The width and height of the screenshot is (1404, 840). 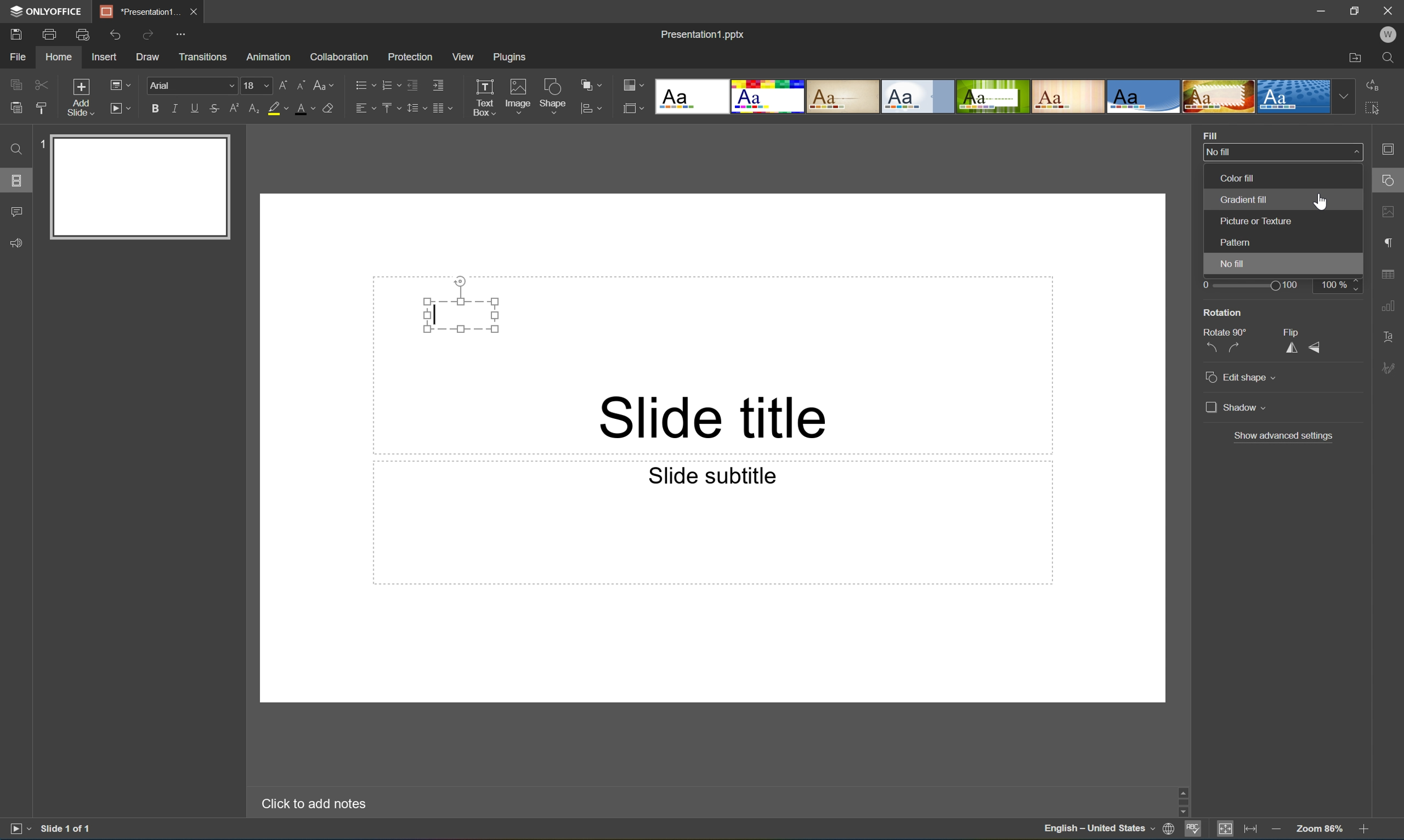 What do you see at coordinates (1356, 9) in the screenshot?
I see `Restore Down` at bounding box center [1356, 9].